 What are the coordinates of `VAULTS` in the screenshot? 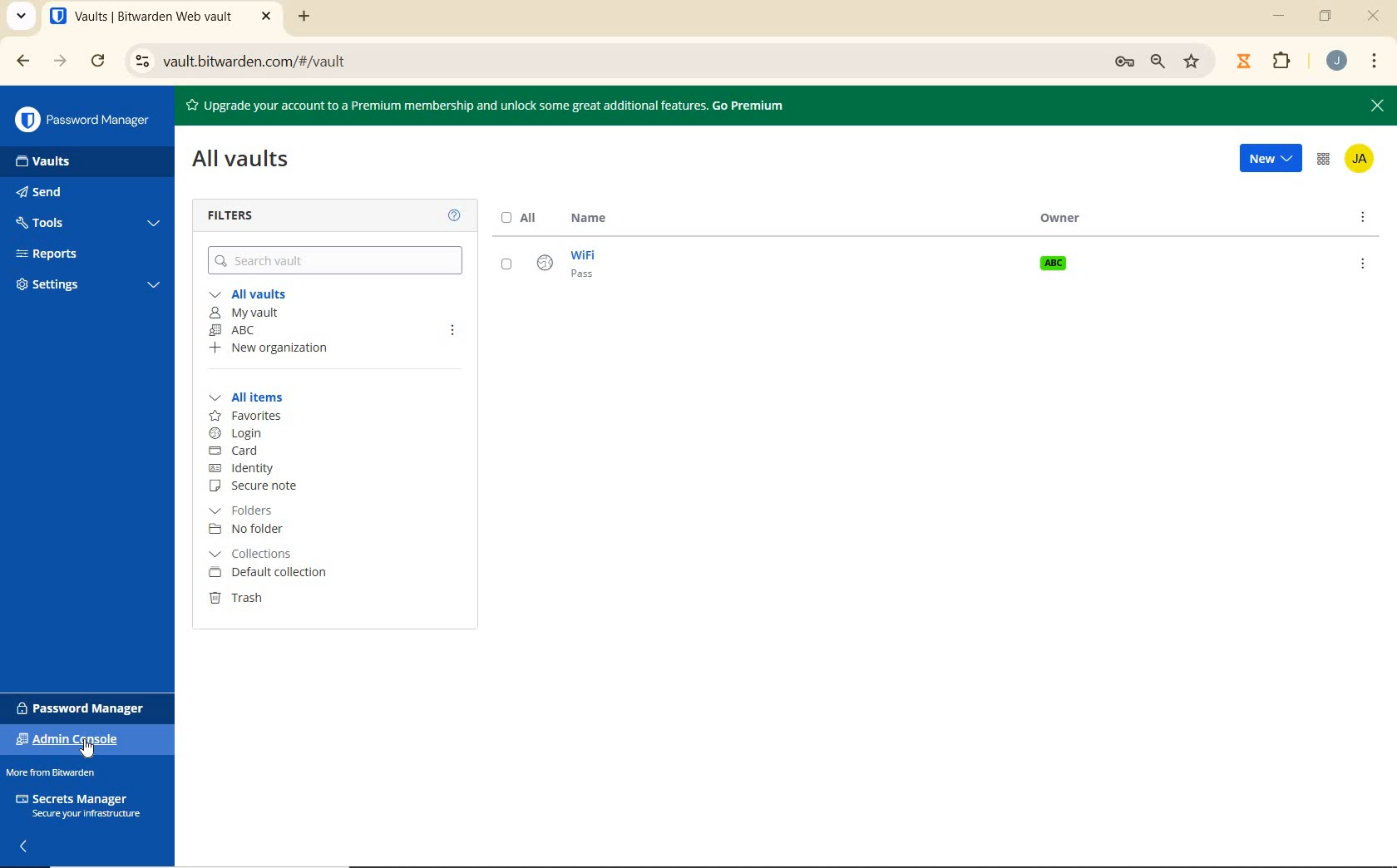 It's located at (70, 164).